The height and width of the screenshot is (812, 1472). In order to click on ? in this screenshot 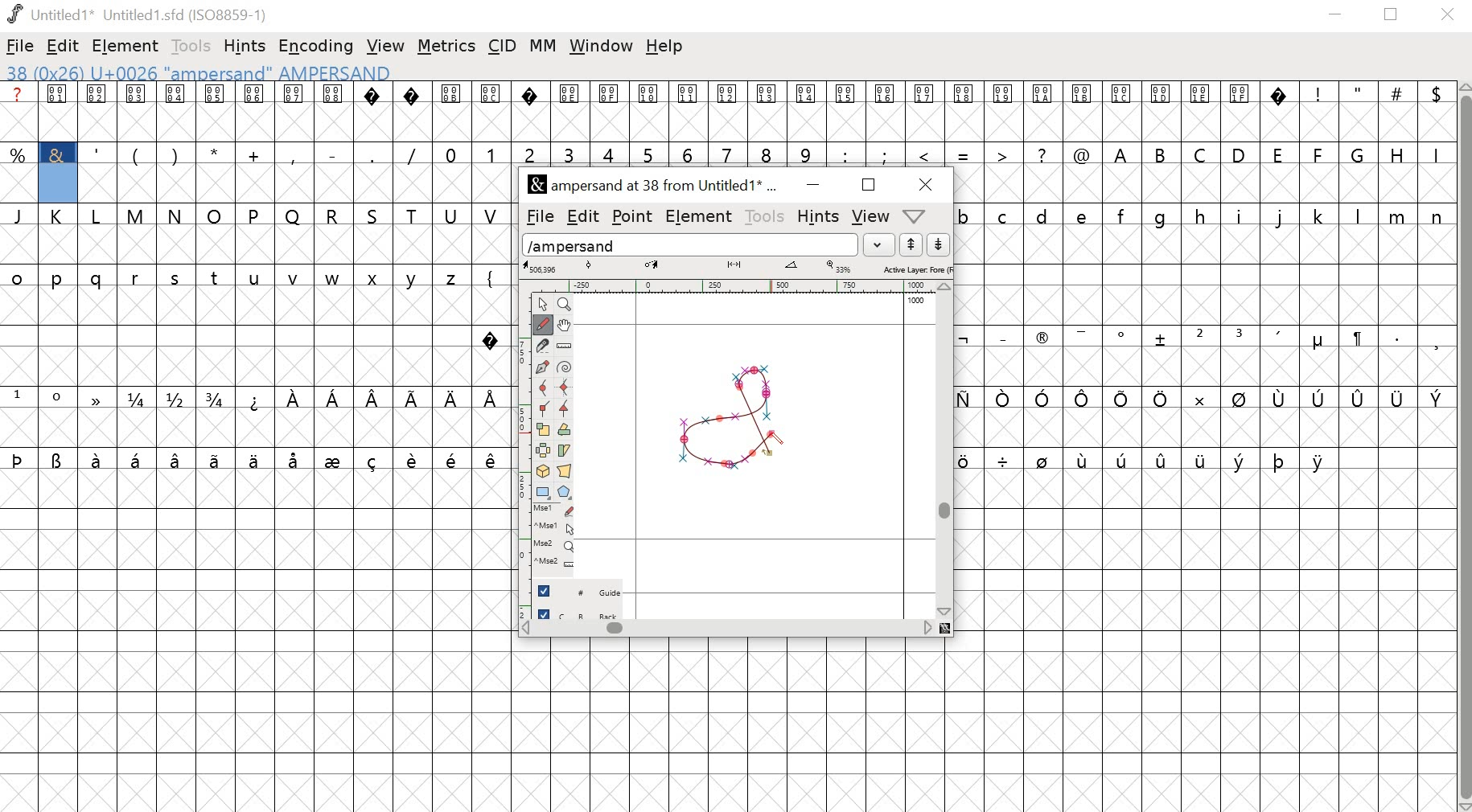, I will do `click(491, 337)`.